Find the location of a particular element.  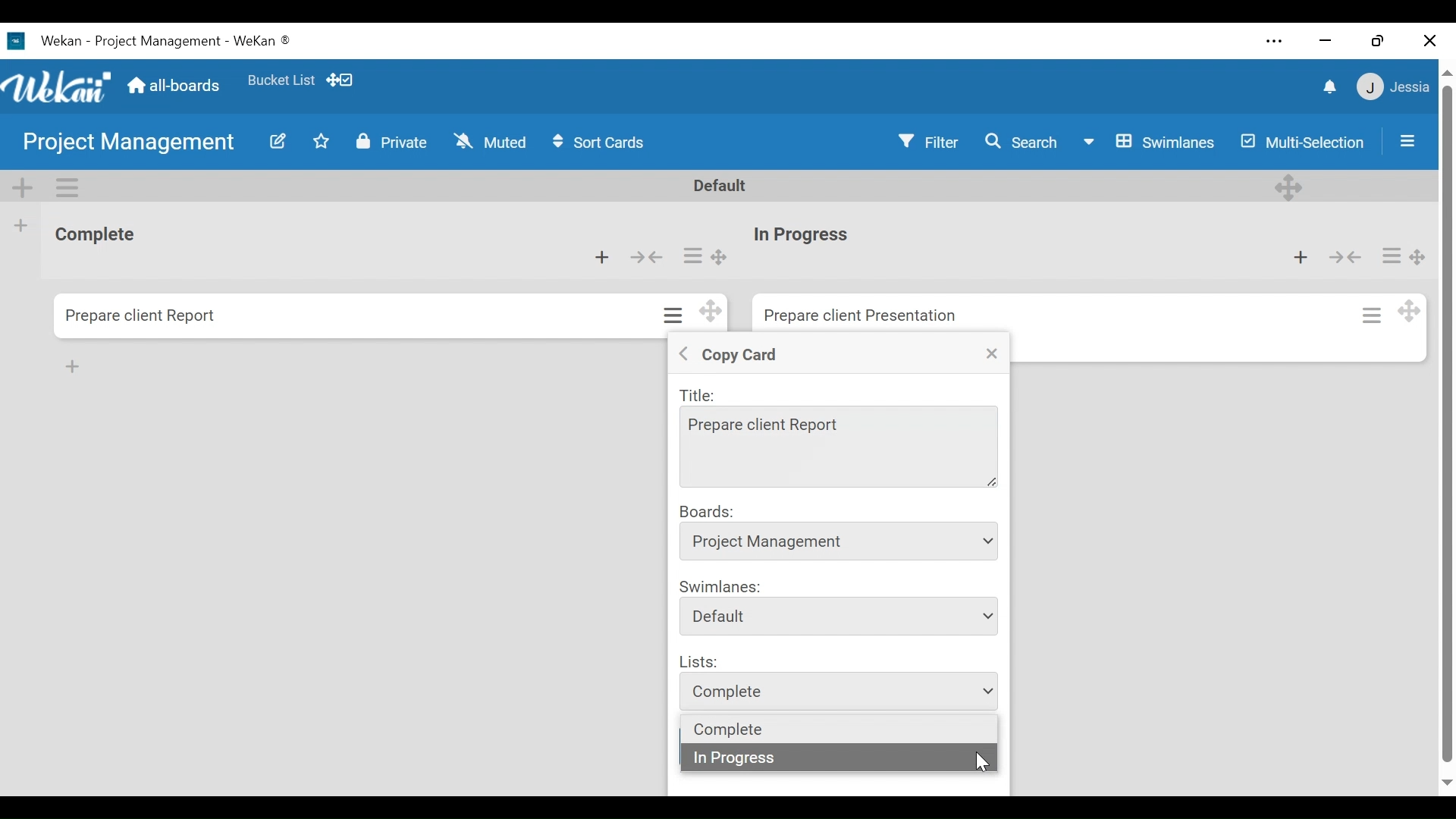

Board dropdown menu is located at coordinates (839, 540).